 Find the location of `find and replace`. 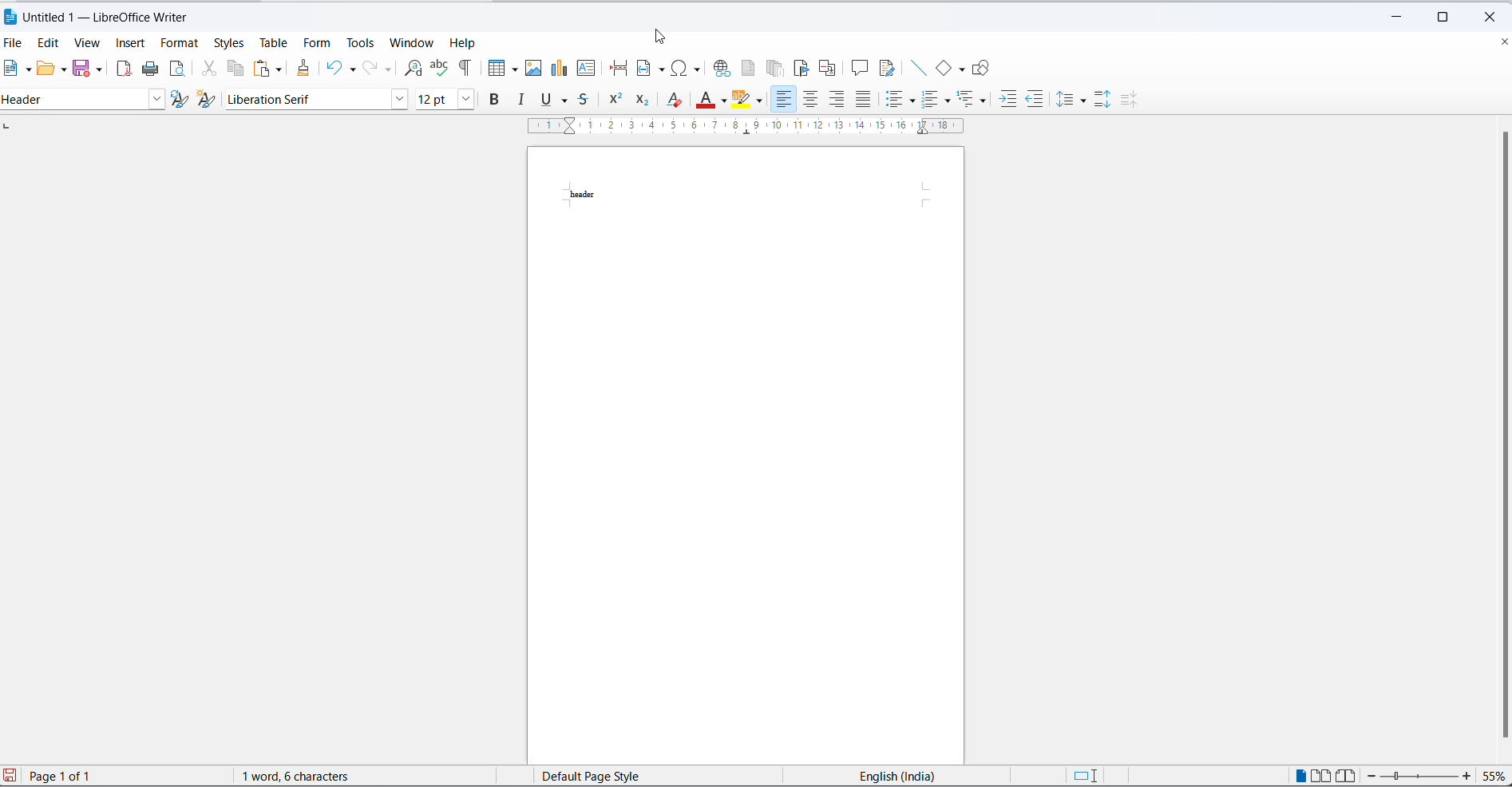

find and replace is located at coordinates (414, 66).